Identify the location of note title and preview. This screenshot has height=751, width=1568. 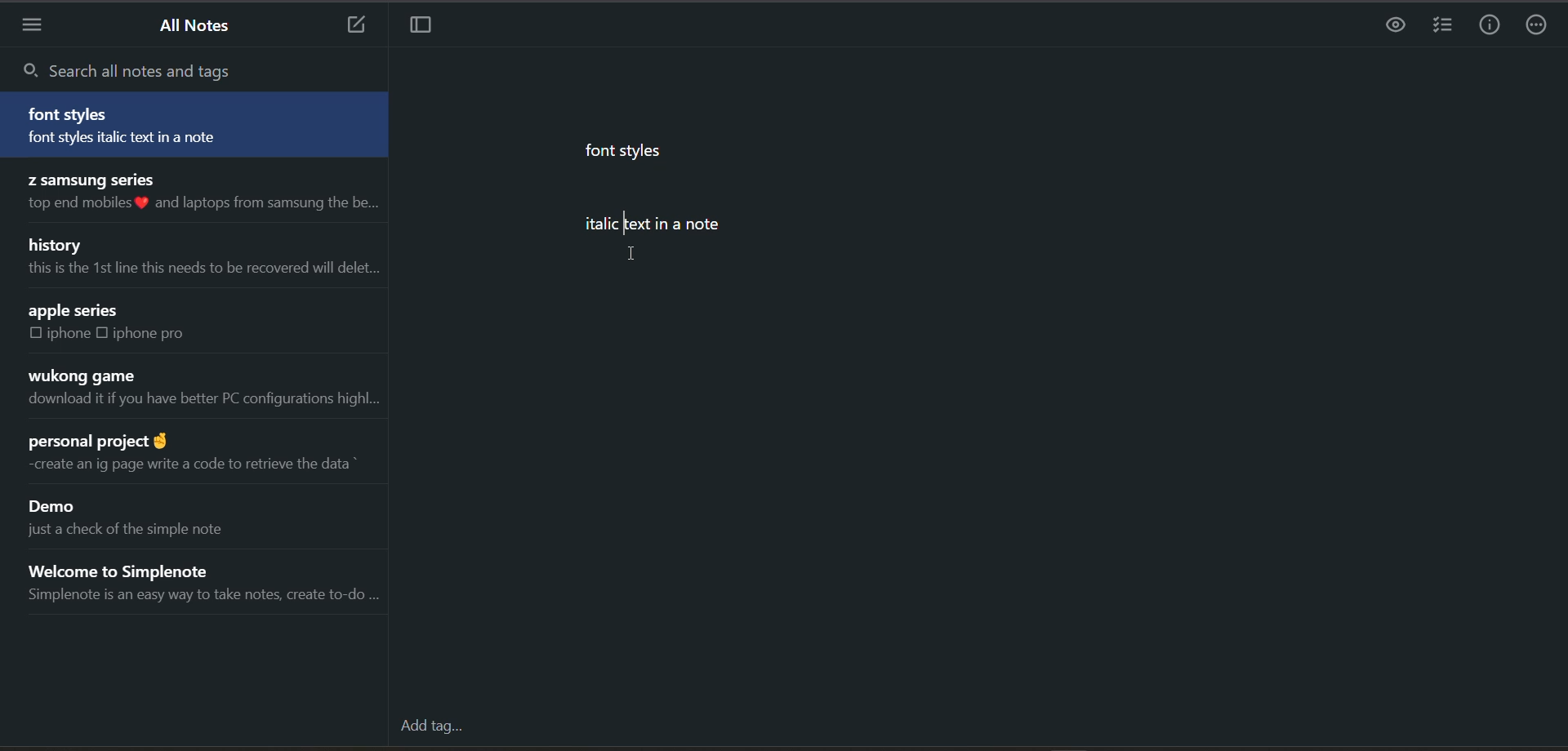
(145, 516).